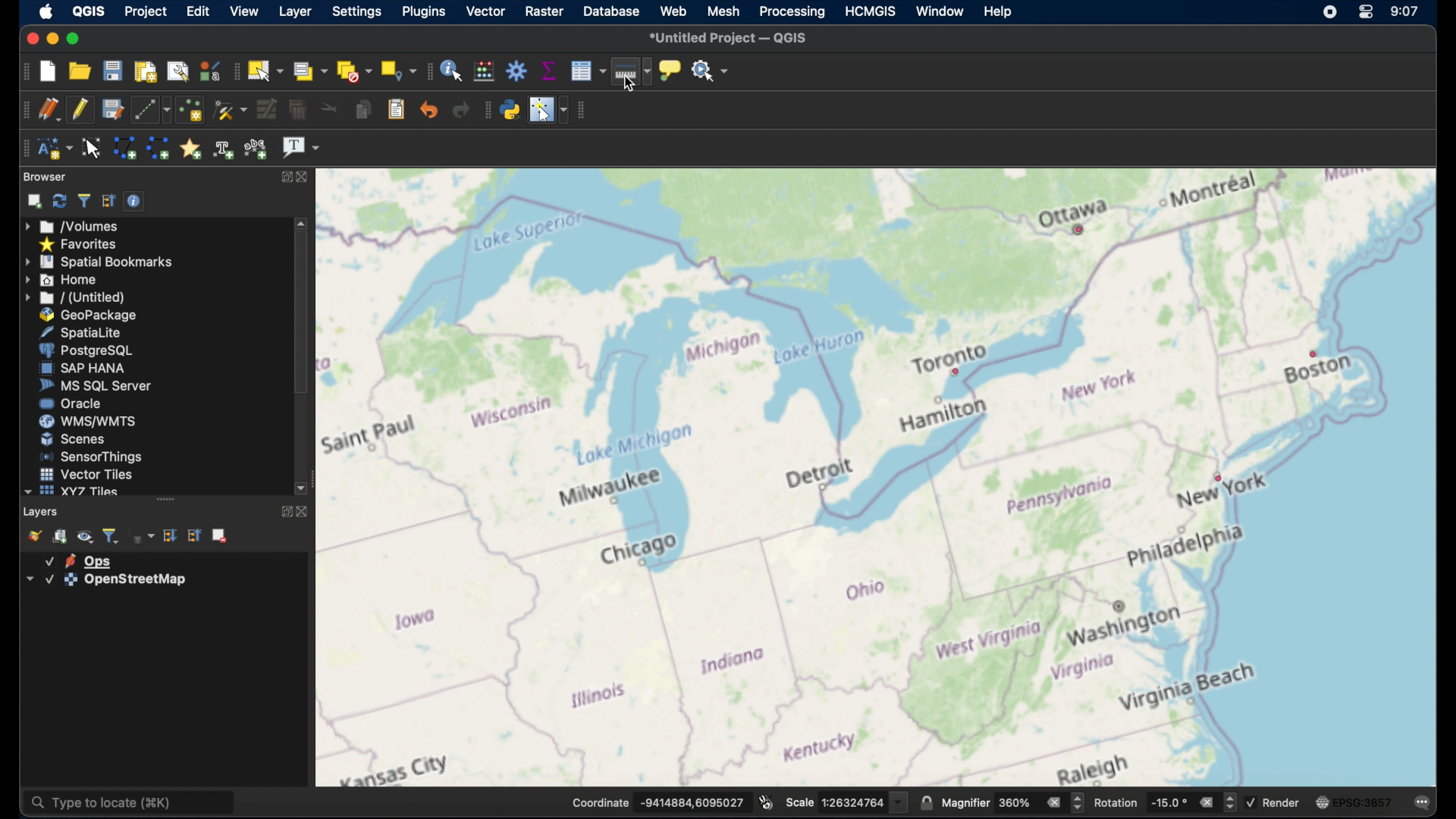 This screenshot has width=1456, height=819. Describe the element at coordinates (92, 350) in the screenshot. I see `postgresql` at that location.